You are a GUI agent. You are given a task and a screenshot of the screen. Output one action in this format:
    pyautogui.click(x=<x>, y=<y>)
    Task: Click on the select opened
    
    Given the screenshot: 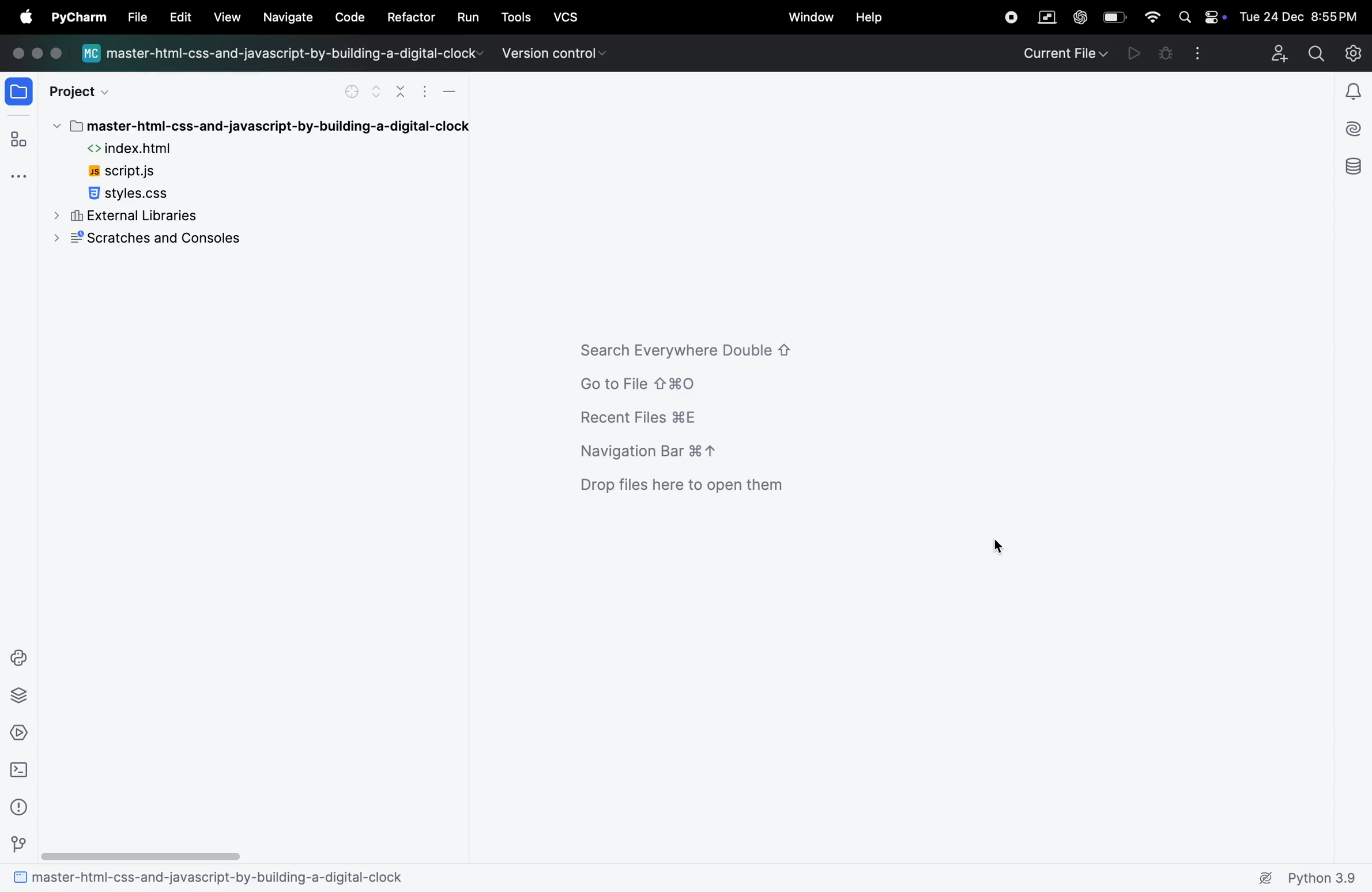 What is the action you would take?
    pyautogui.click(x=352, y=92)
    